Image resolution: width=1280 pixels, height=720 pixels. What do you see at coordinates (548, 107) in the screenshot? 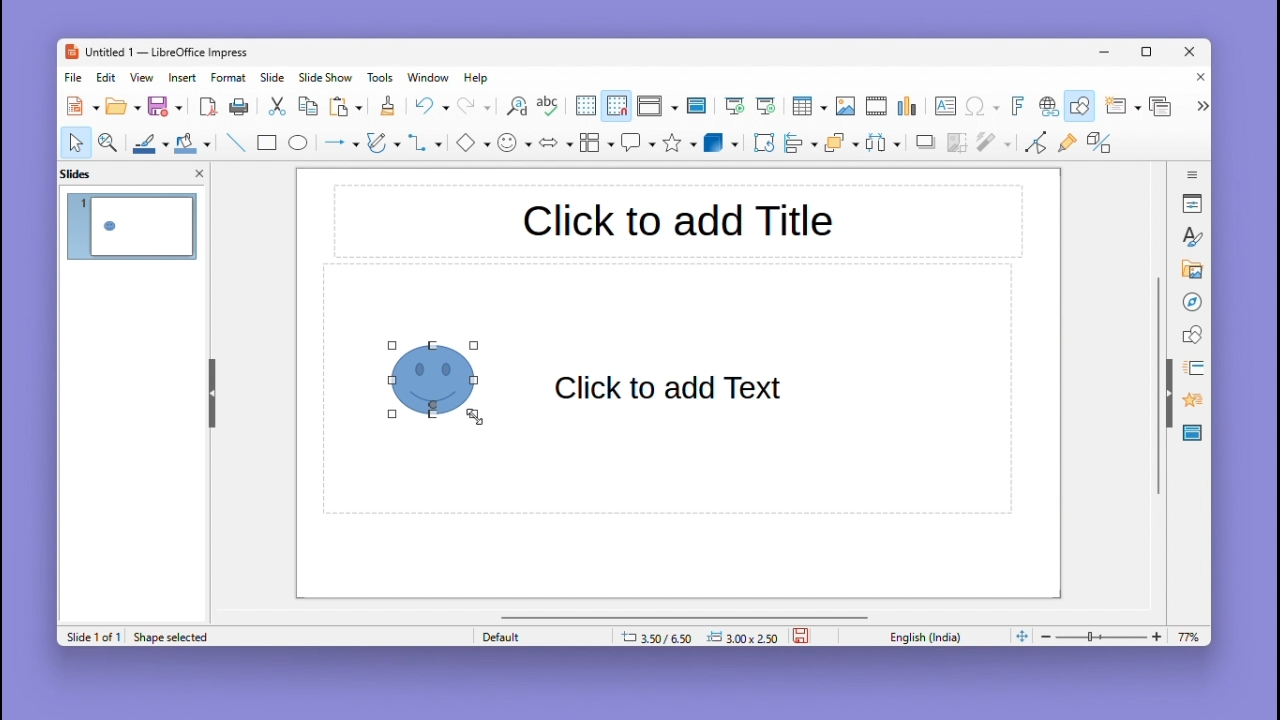
I see `spelling` at bounding box center [548, 107].